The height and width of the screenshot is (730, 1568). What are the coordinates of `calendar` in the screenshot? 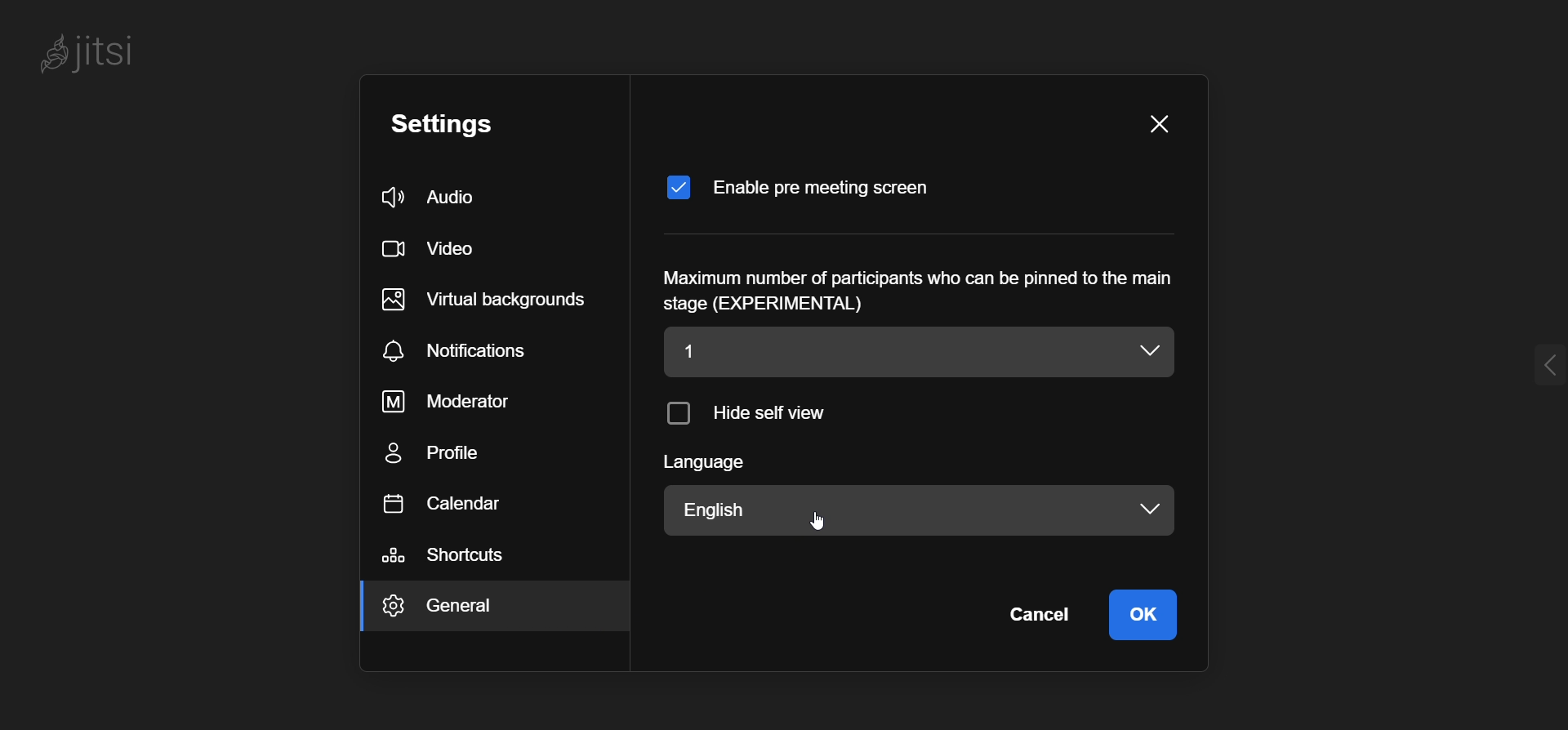 It's located at (451, 505).